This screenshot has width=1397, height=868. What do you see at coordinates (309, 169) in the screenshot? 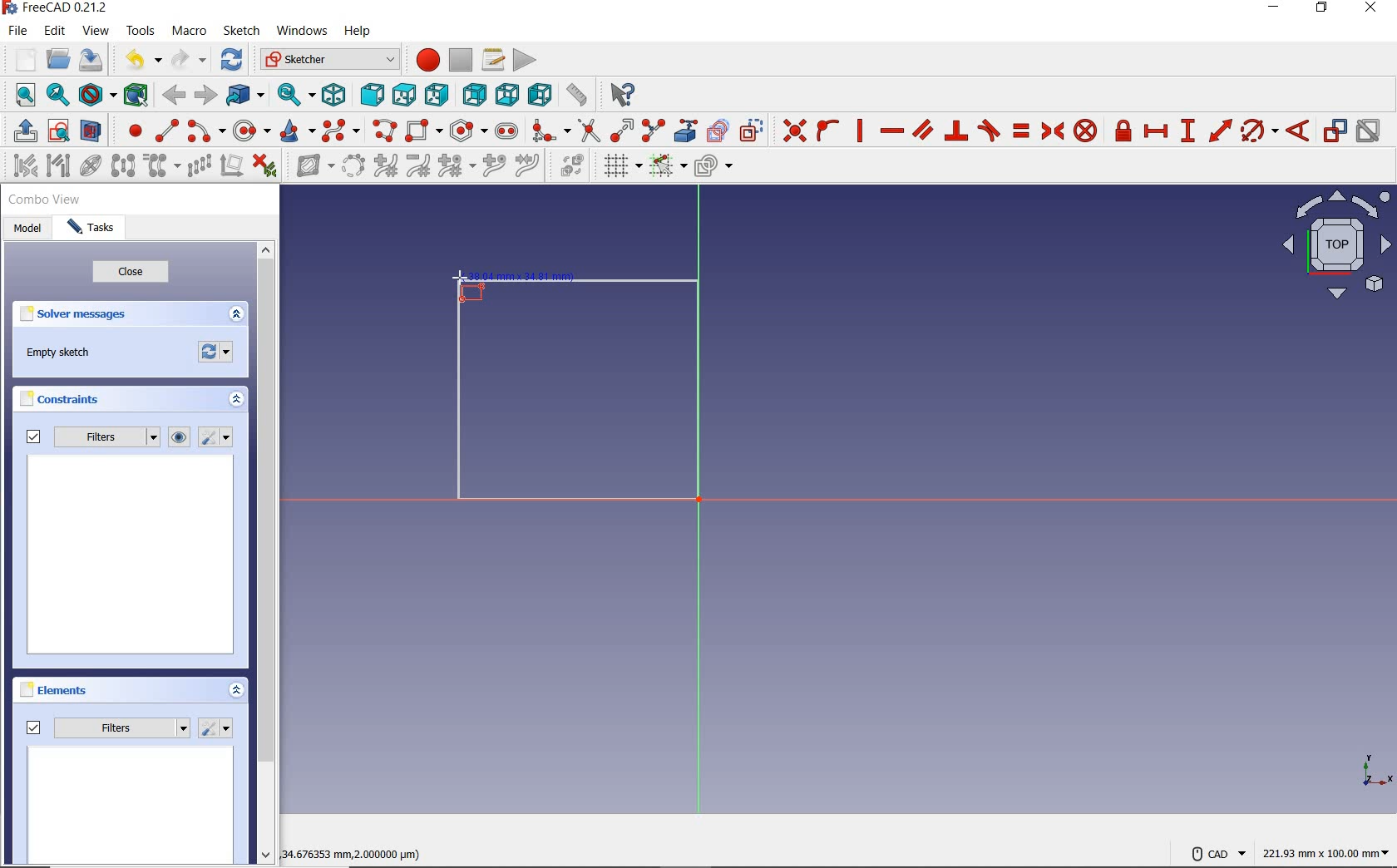
I see `show/hide b-splineinformation layer` at bounding box center [309, 169].